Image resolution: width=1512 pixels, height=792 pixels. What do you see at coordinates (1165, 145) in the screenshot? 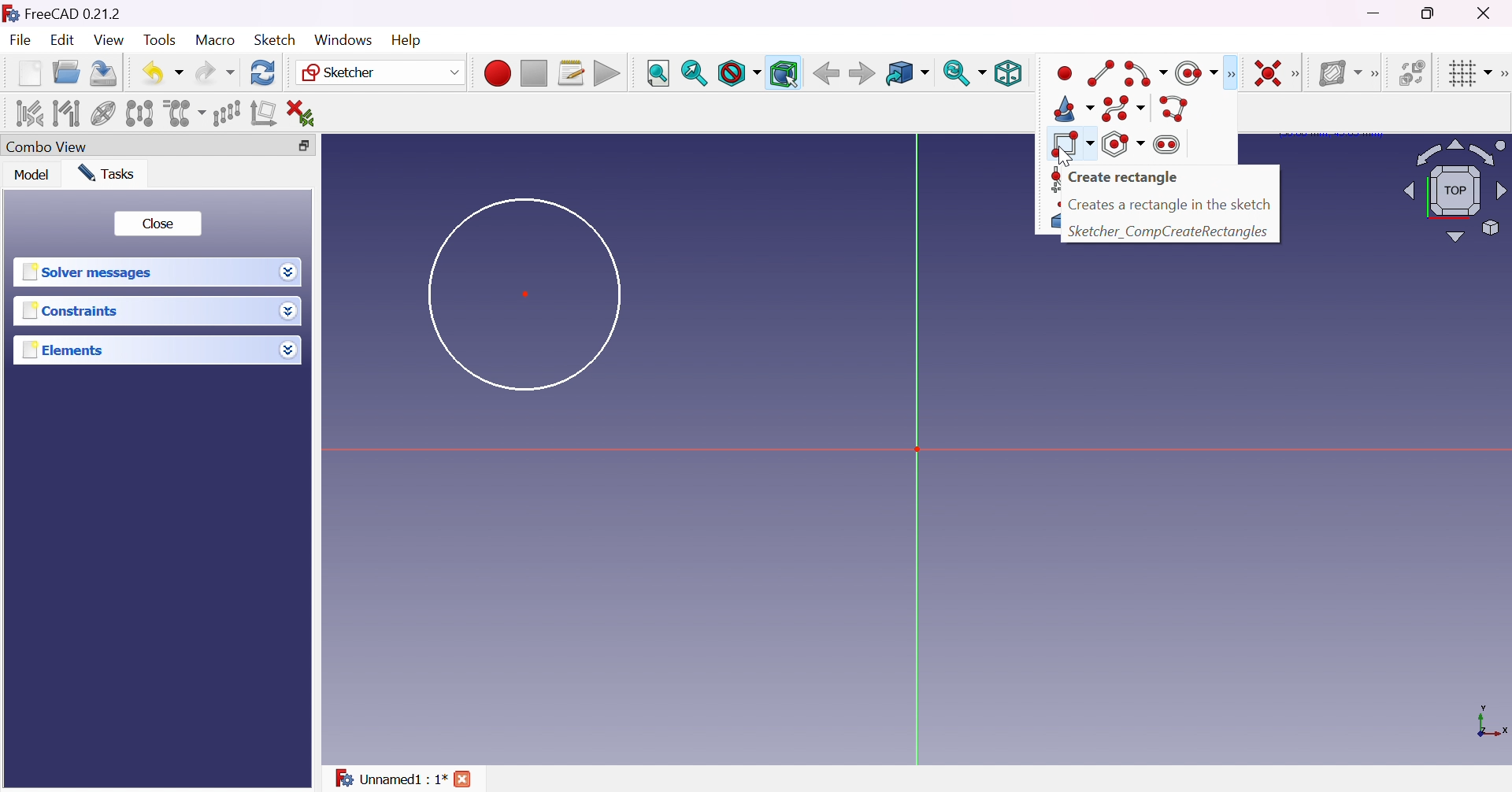
I see `create slot` at bounding box center [1165, 145].